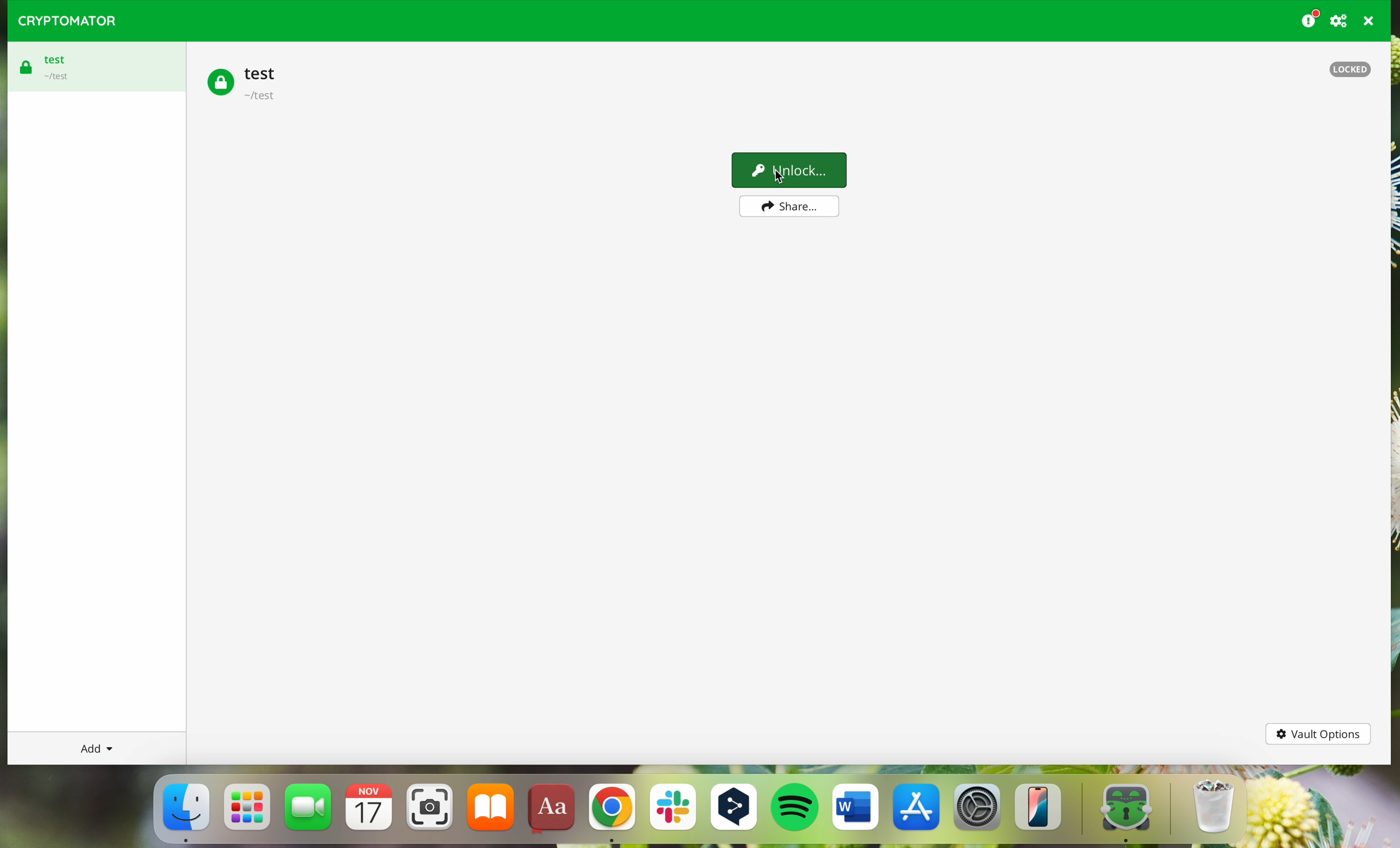 The height and width of the screenshot is (848, 1400). I want to click on dictionary, so click(554, 812).